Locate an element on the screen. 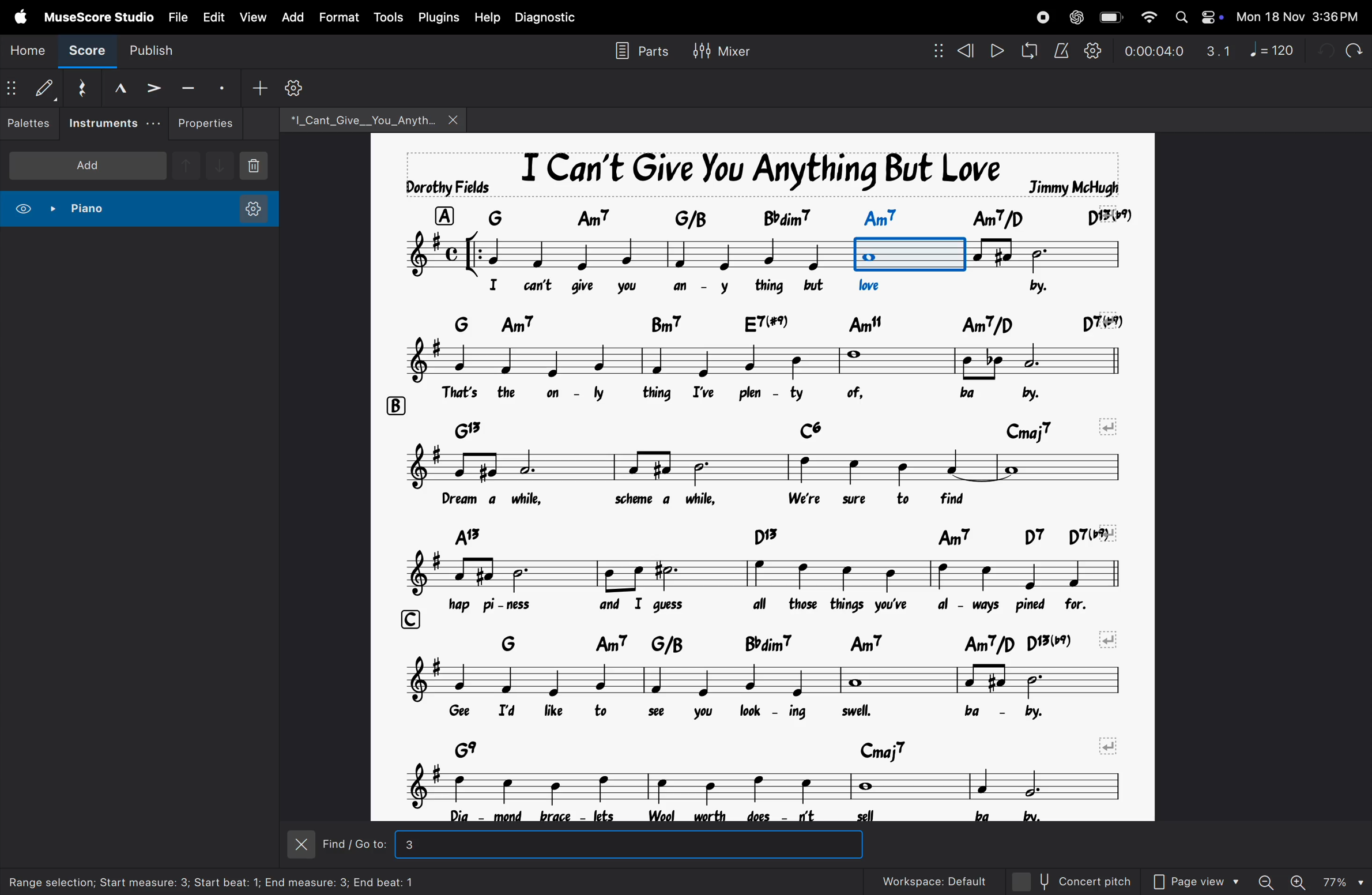 The width and height of the screenshot is (1372, 895). help is located at coordinates (485, 16).